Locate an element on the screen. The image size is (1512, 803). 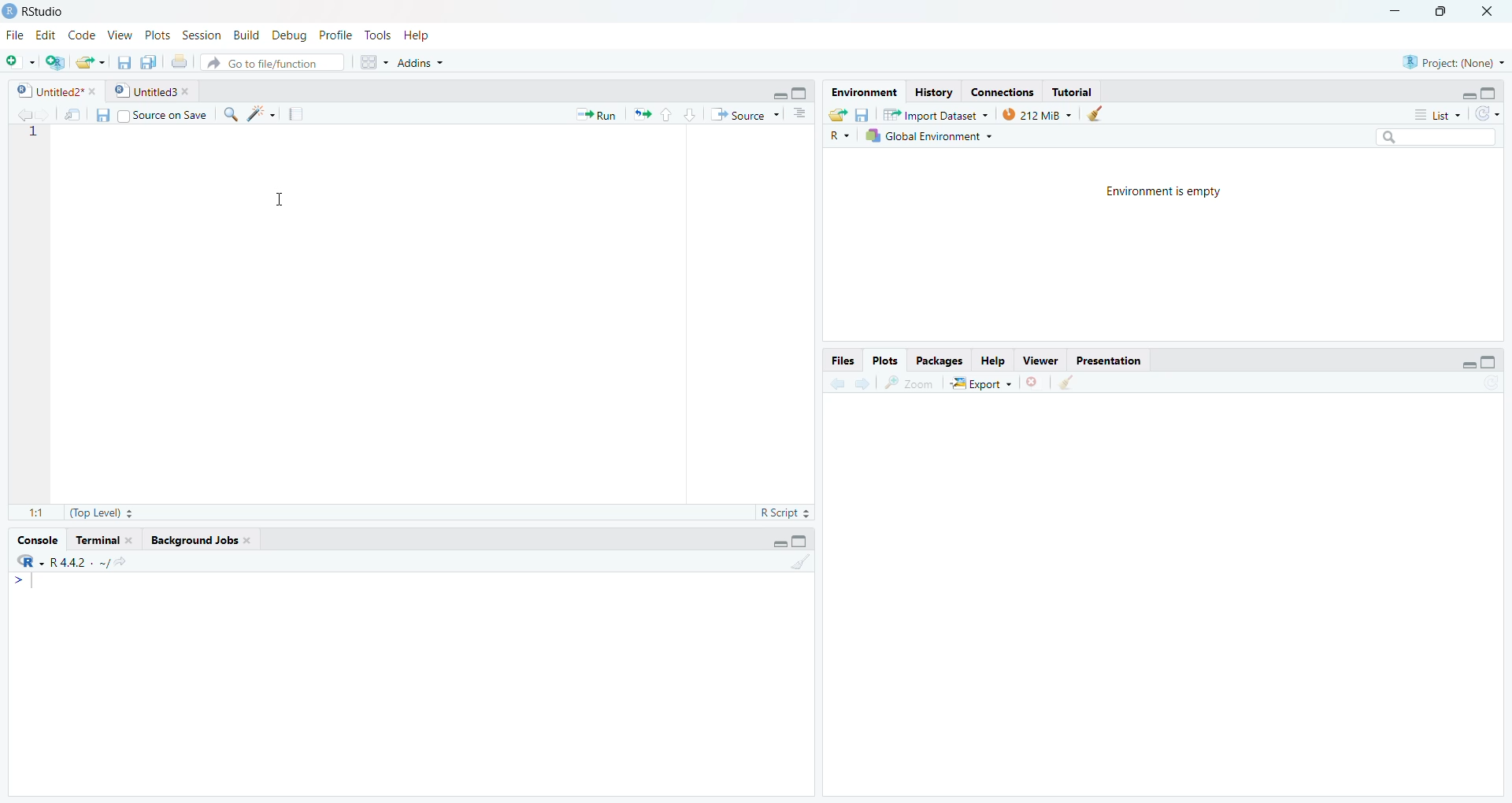
project none is located at coordinates (1450, 60).